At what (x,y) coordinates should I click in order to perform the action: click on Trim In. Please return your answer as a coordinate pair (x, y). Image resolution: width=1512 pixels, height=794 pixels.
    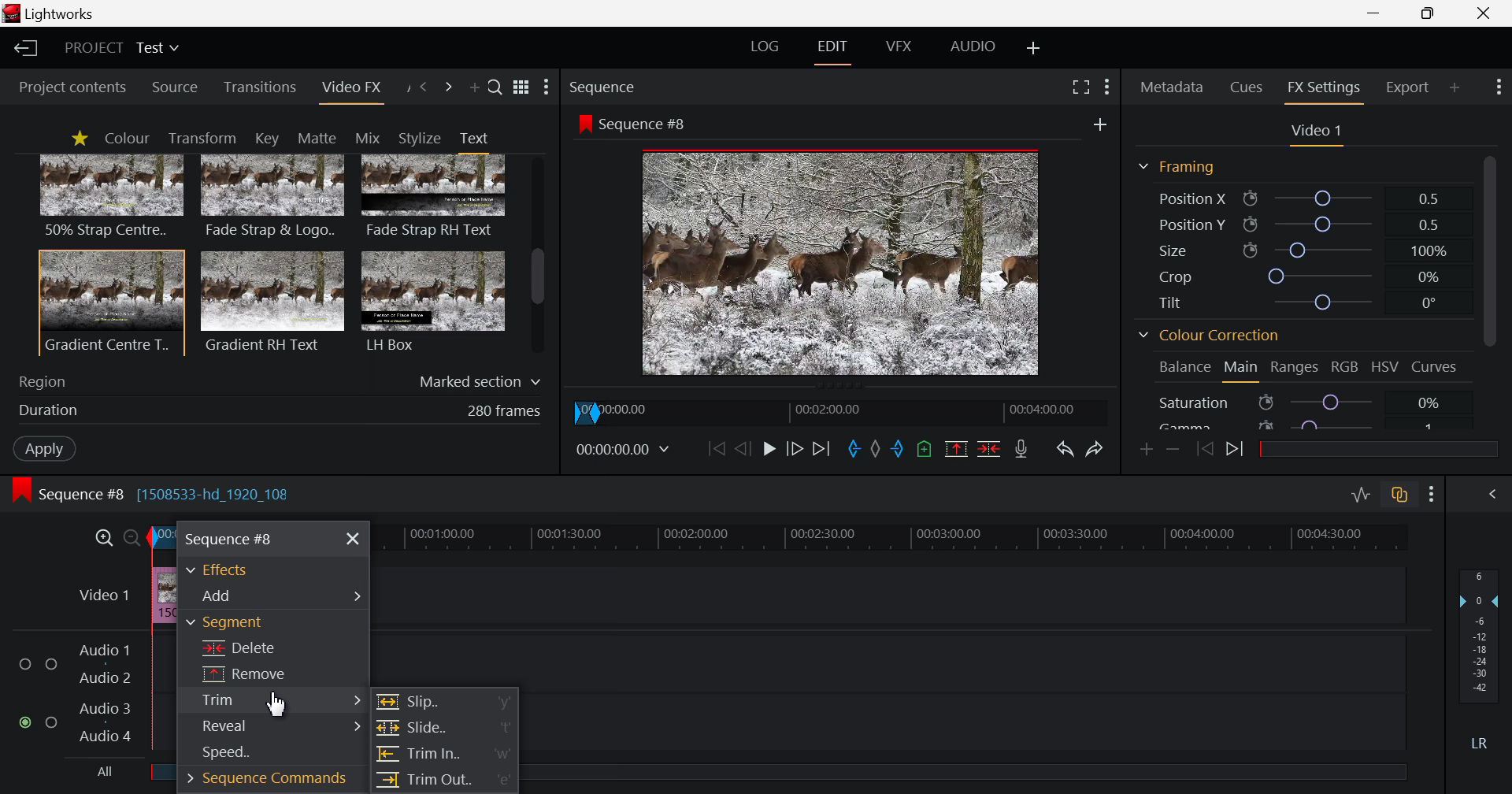
    Looking at the image, I should click on (445, 755).